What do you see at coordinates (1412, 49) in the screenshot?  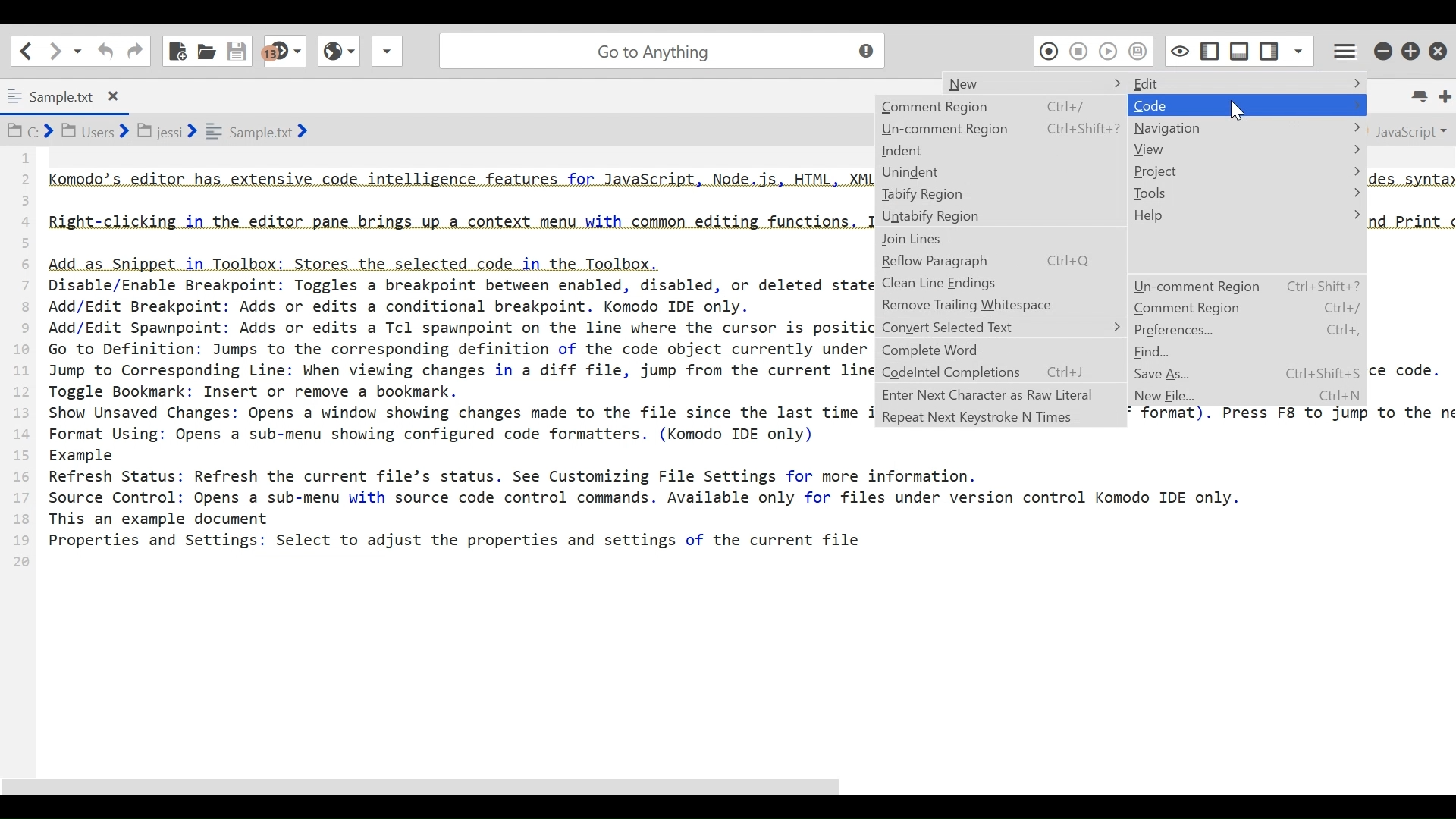 I see `Restore` at bounding box center [1412, 49].